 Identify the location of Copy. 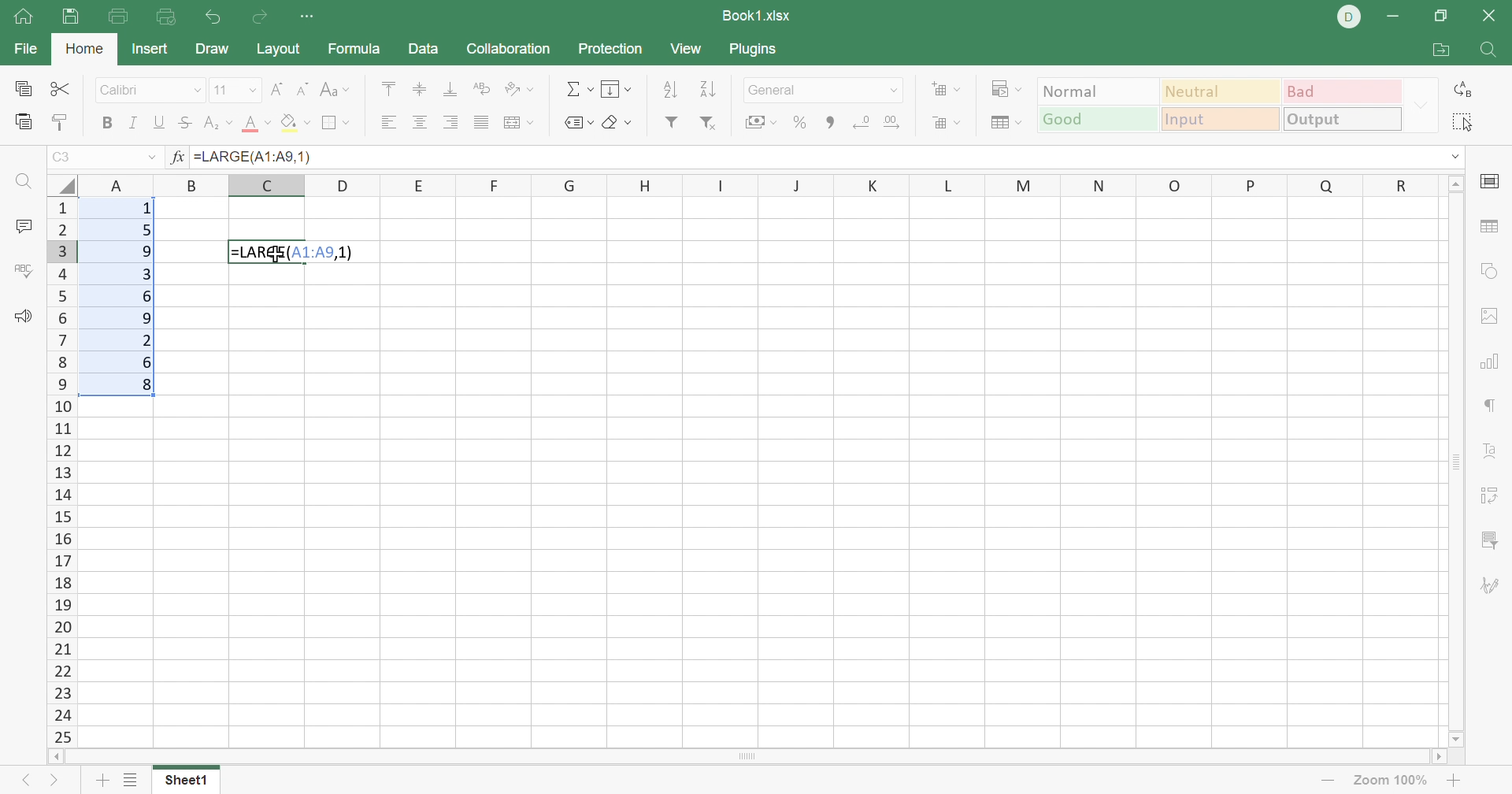
(23, 89).